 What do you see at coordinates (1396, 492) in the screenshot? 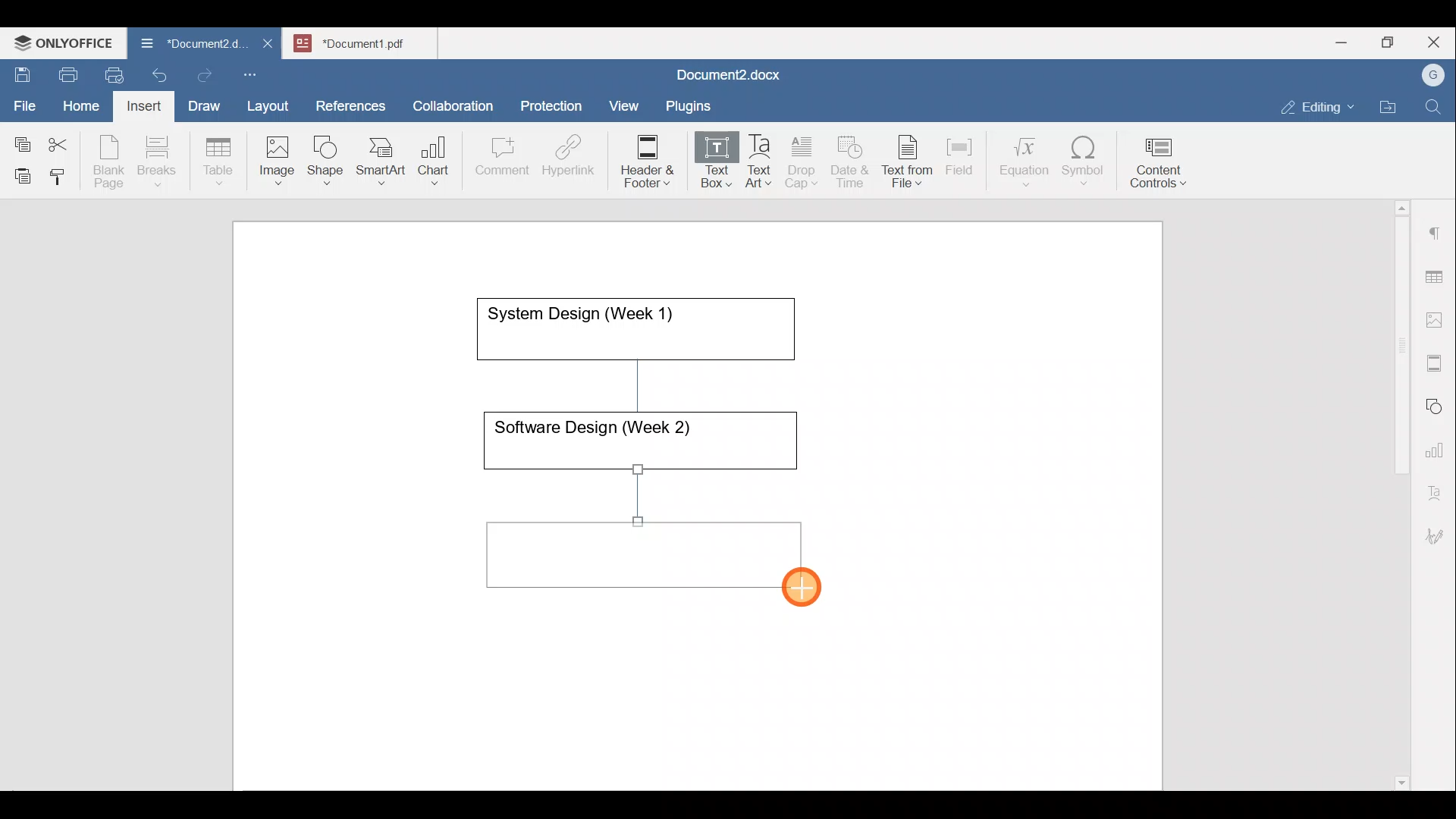
I see `Scroll bar` at bounding box center [1396, 492].